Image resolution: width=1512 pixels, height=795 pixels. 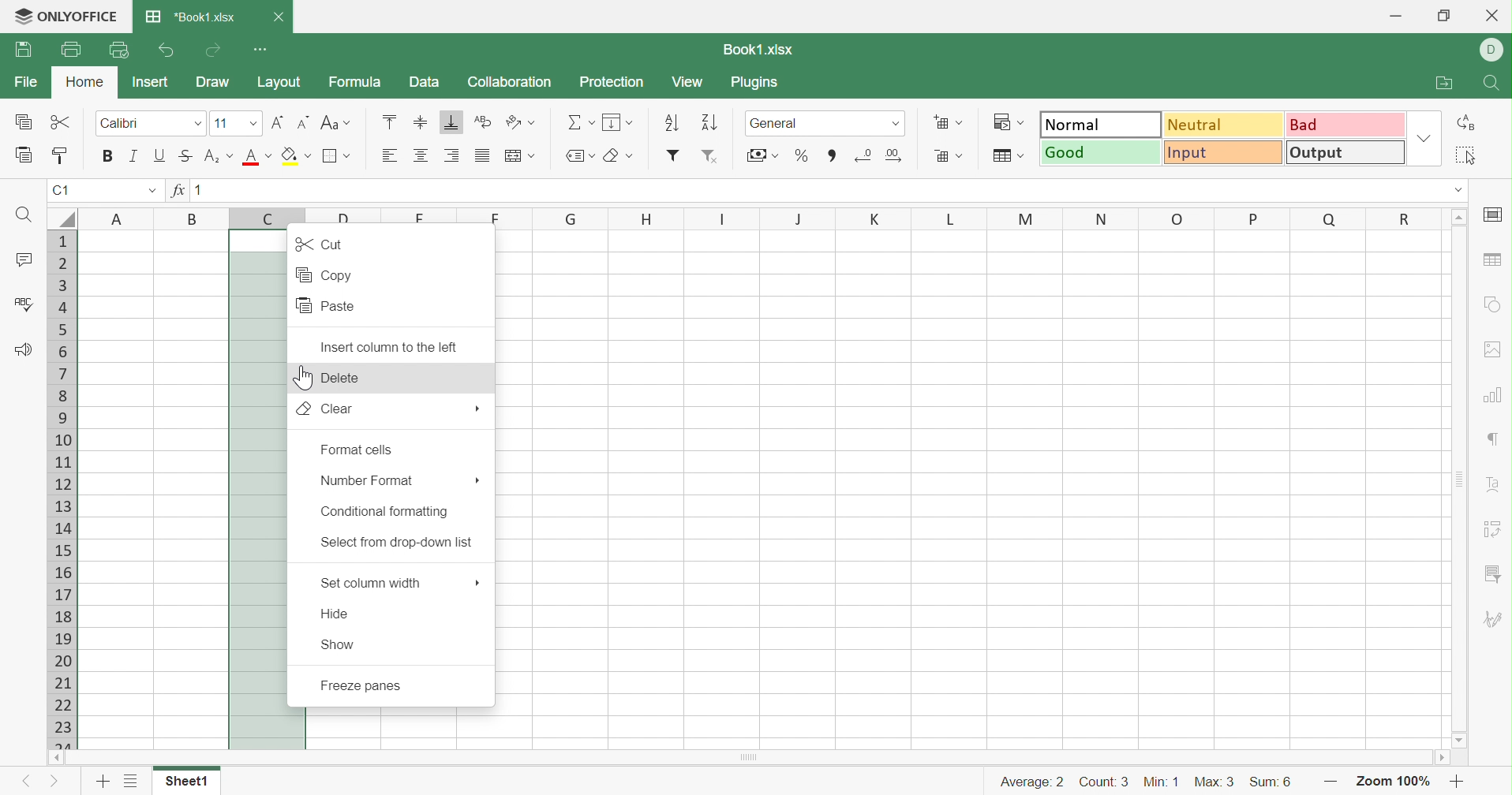 I want to click on Bad, so click(x=1345, y=125).